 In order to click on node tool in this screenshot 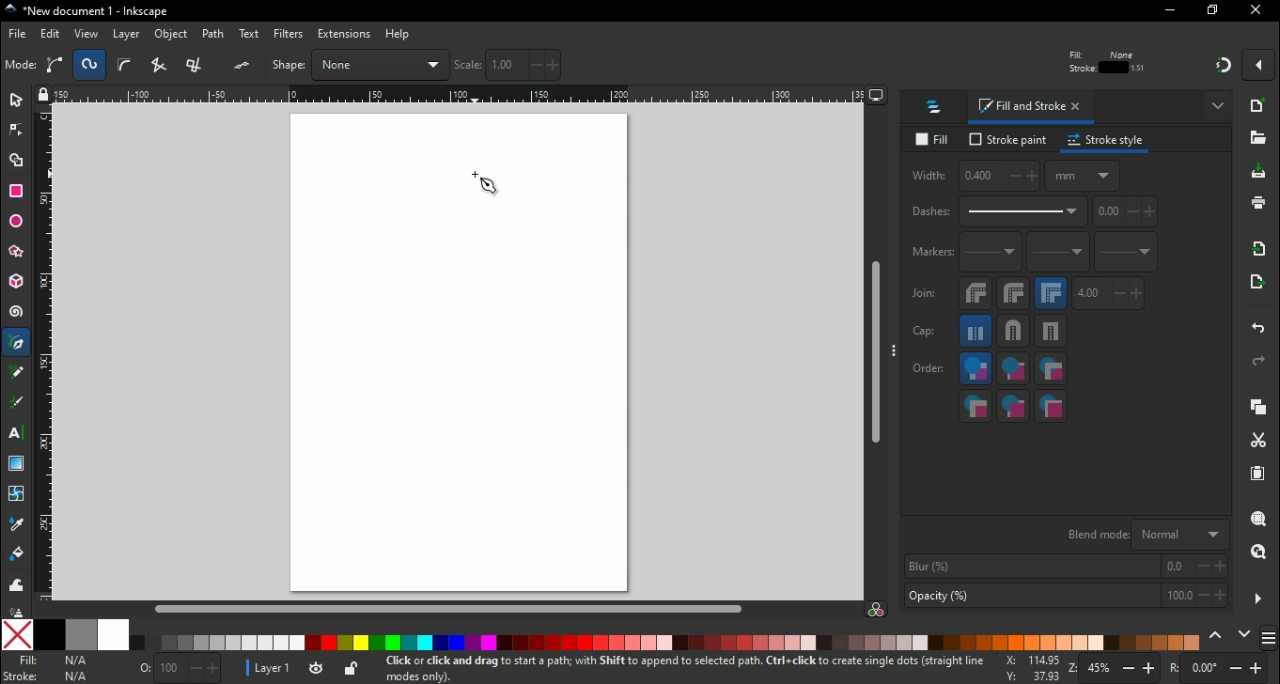, I will do `click(16, 135)`.